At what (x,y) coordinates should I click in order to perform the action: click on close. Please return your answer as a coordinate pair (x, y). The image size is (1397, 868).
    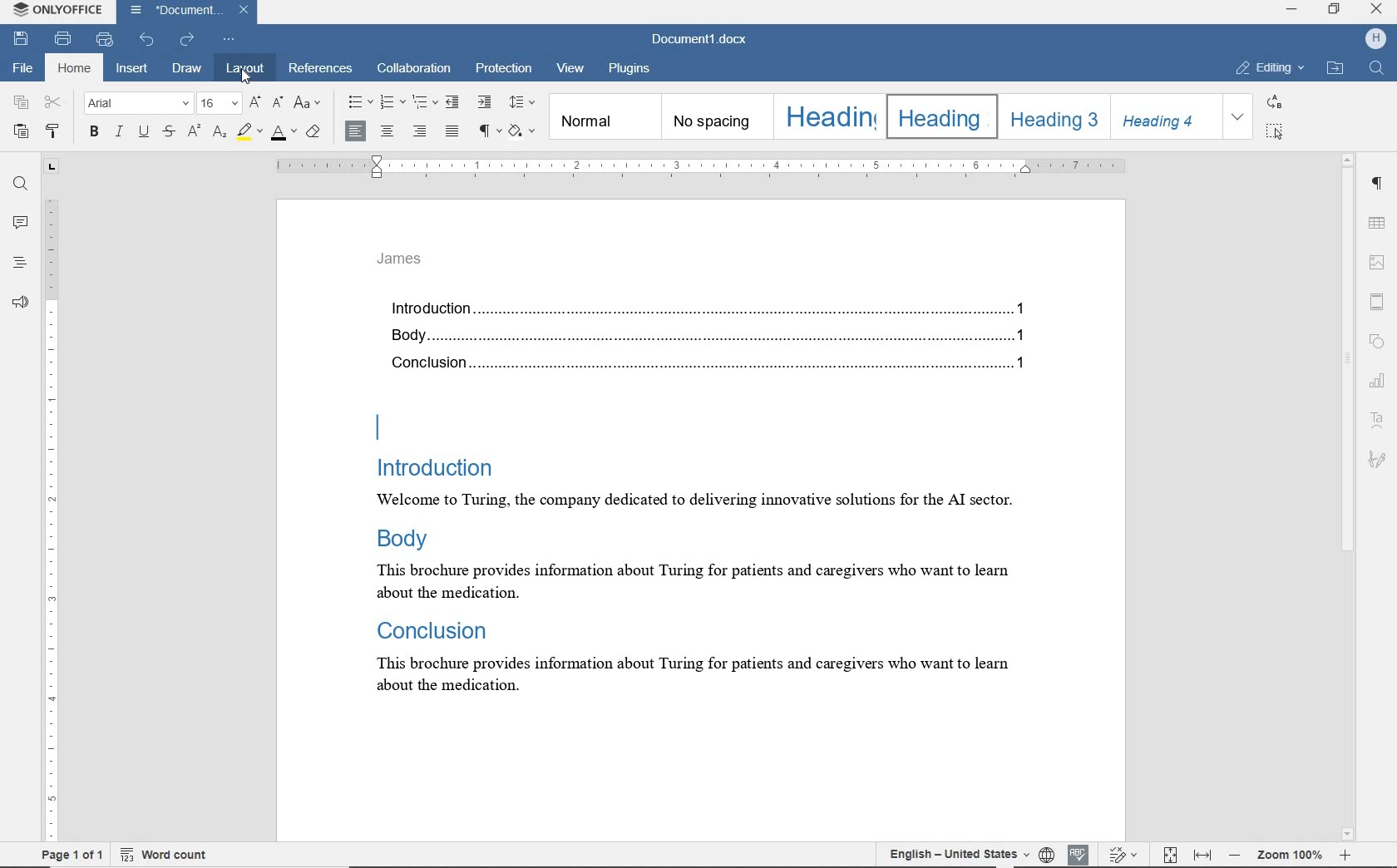
    Looking at the image, I should click on (249, 8).